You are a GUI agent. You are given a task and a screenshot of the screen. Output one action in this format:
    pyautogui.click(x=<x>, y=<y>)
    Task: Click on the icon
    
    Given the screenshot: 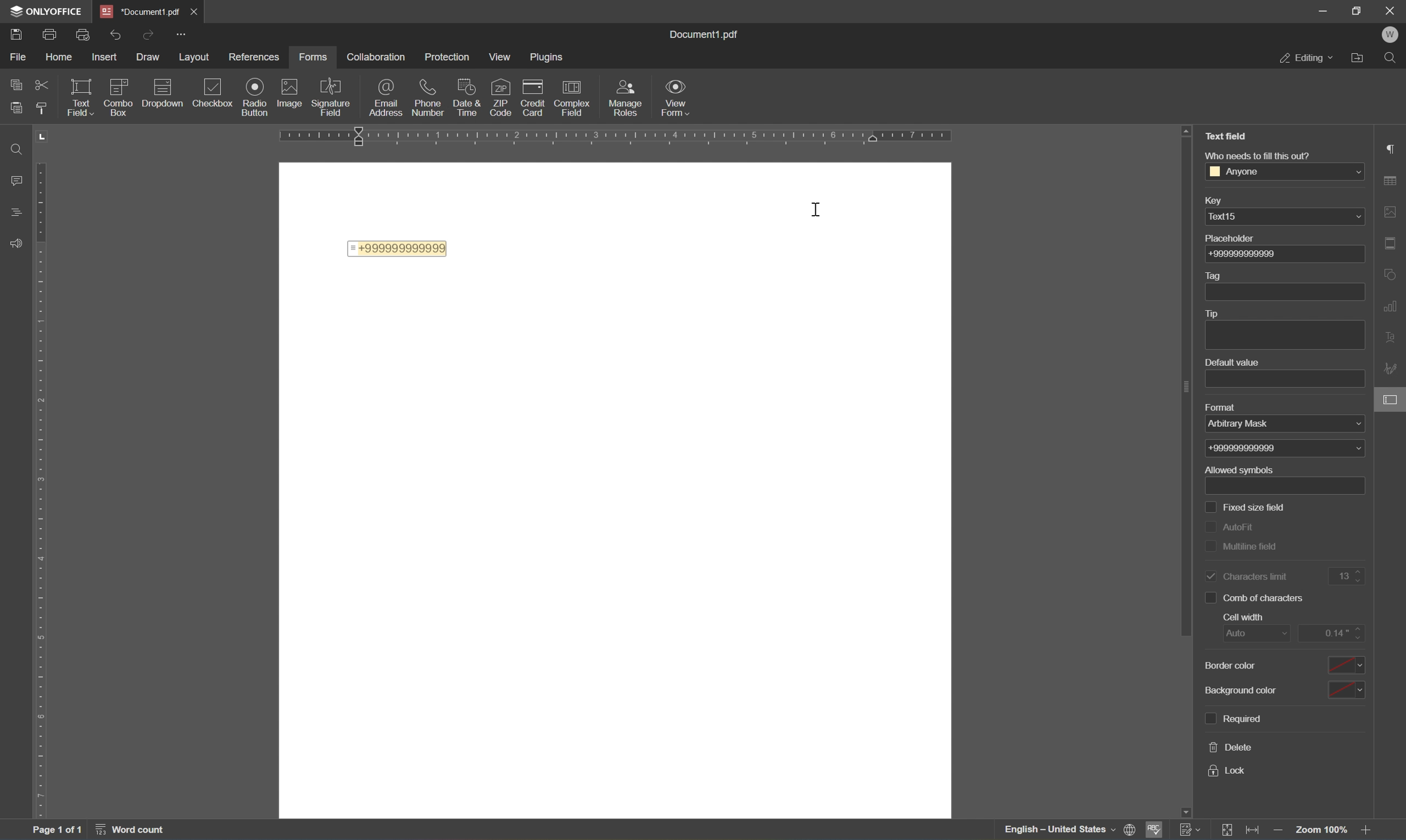 What is the action you would take?
    pyautogui.click(x=470, y=92)
    